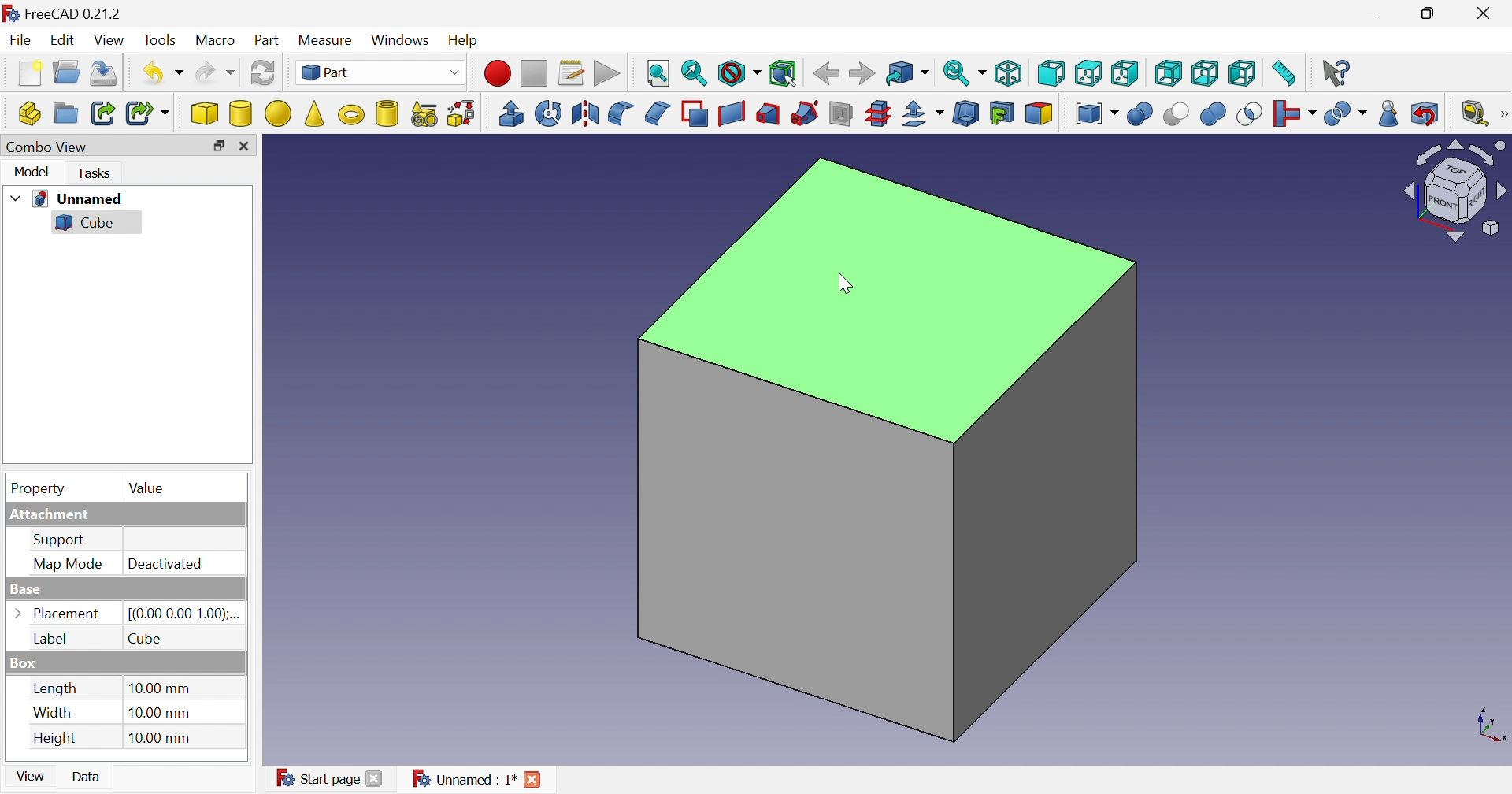 This screenshot has height=794, width=1512. I want to click on 10.00 mm, so click(161, 738).